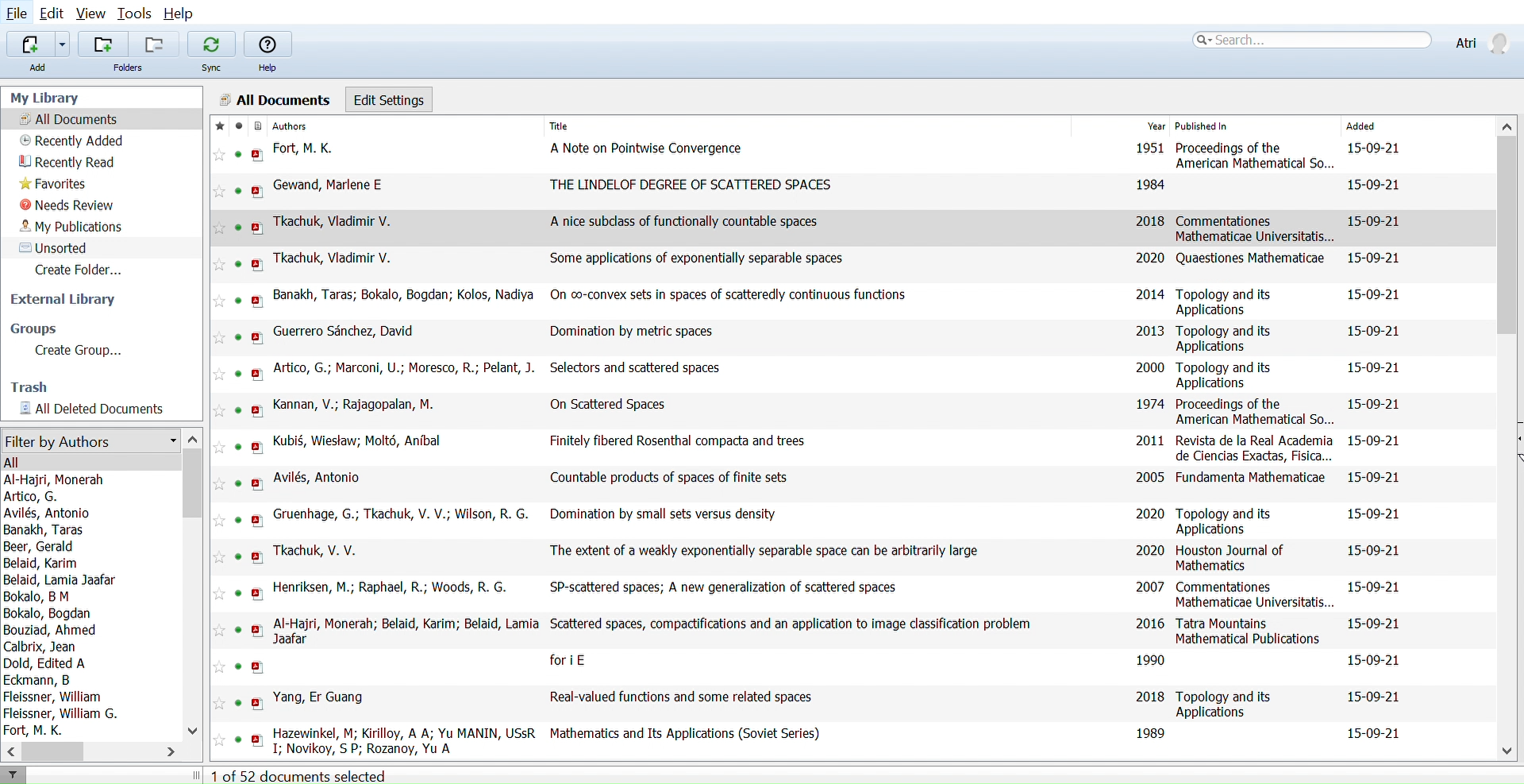 The height and width of the screenshot is (784, 1524). Describe the element at coordinates (684, 221) in the screenshot. I see `A nice subdass of functionally countable spaces` at that location.